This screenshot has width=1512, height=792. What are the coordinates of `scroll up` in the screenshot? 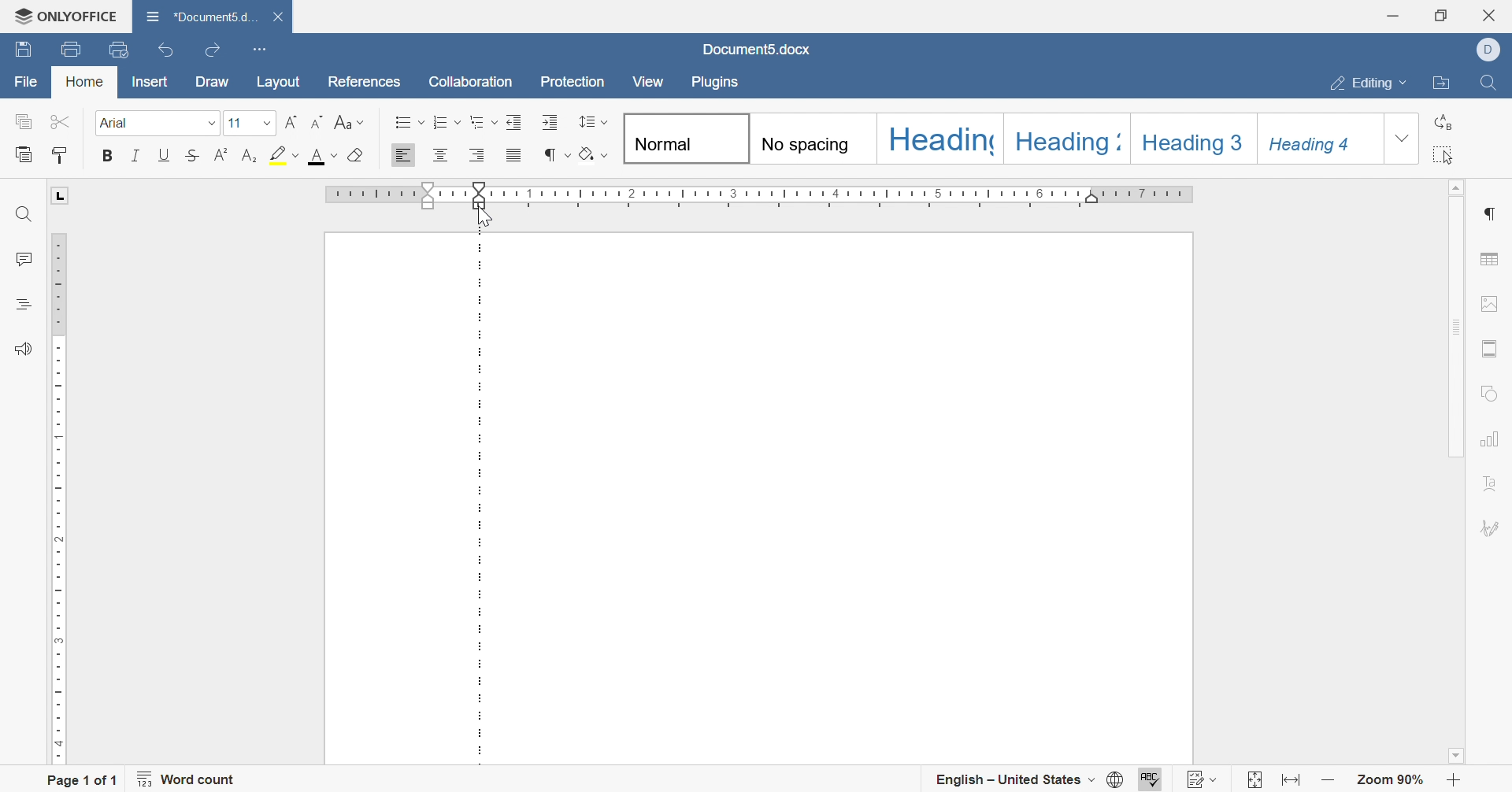 It's located at (1459, 185).